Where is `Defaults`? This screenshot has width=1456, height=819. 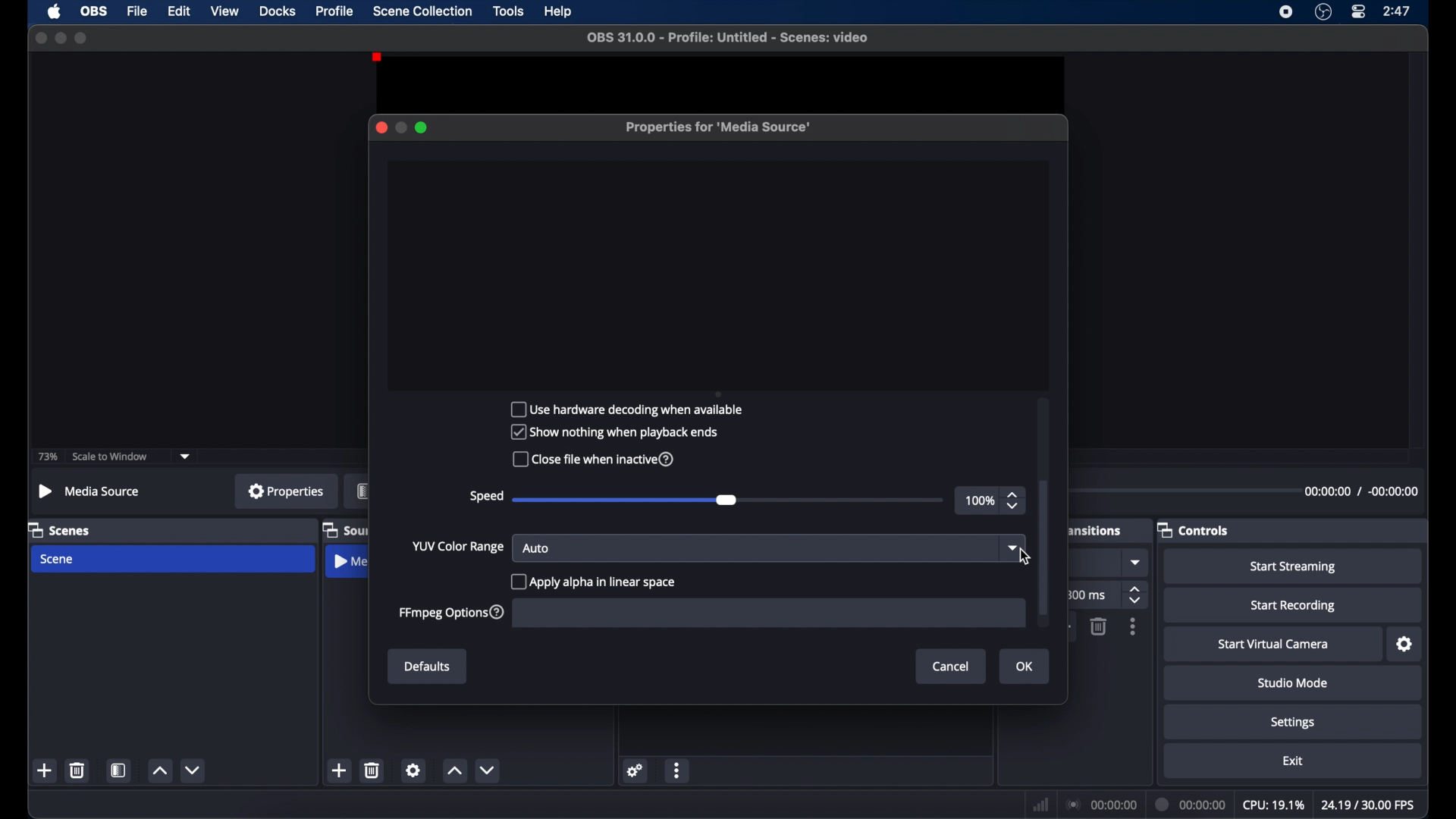
Defaults is located at coordinates (428, 667).